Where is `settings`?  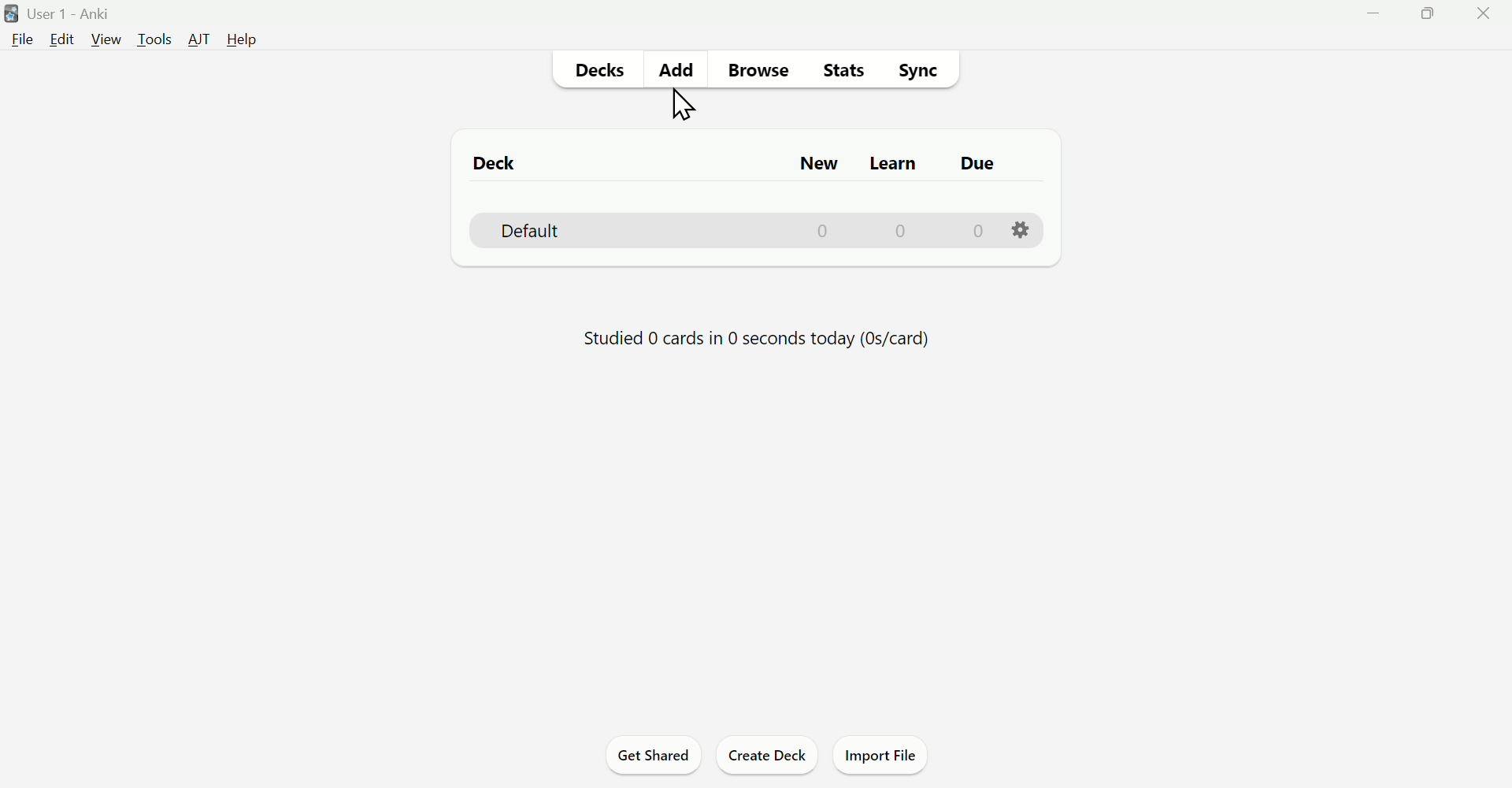 settings is located at coordinates (1021, 232).